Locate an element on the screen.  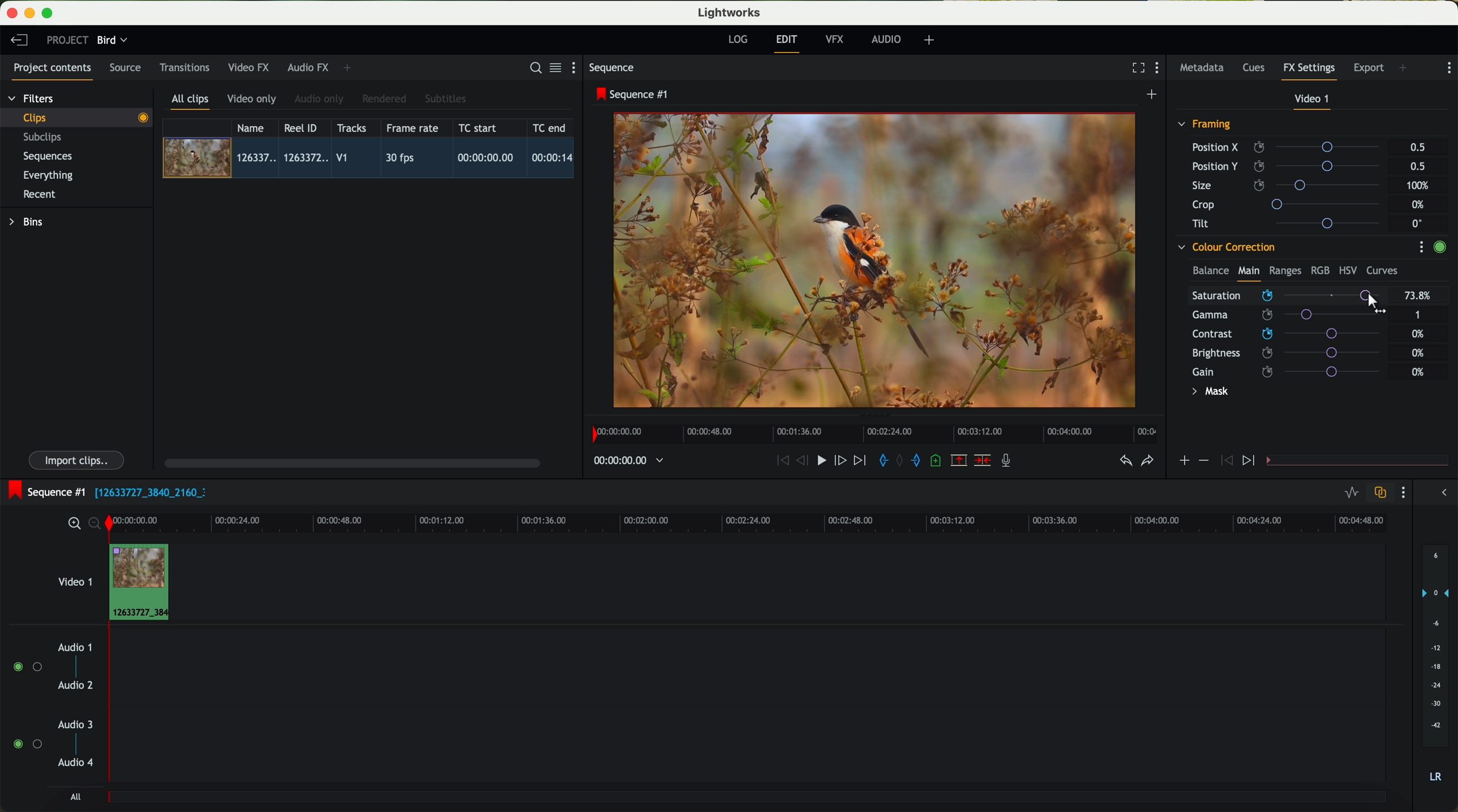
edit is located at coordinates (788, 42).